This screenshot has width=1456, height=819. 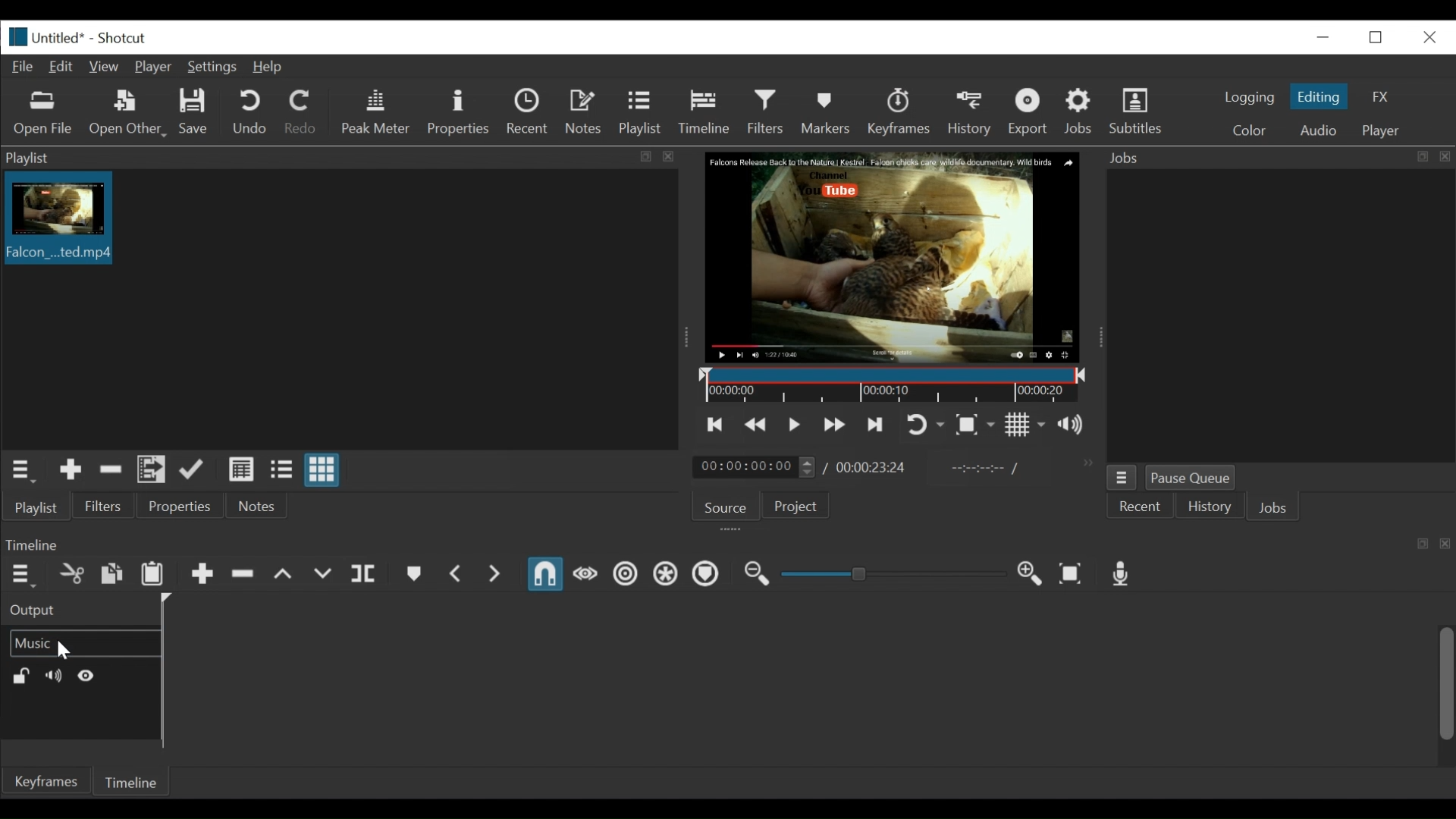 What do you see at coordinates (873, 468) in the screenshot?
I see `Total Duration` at bounding box center [873, 468].